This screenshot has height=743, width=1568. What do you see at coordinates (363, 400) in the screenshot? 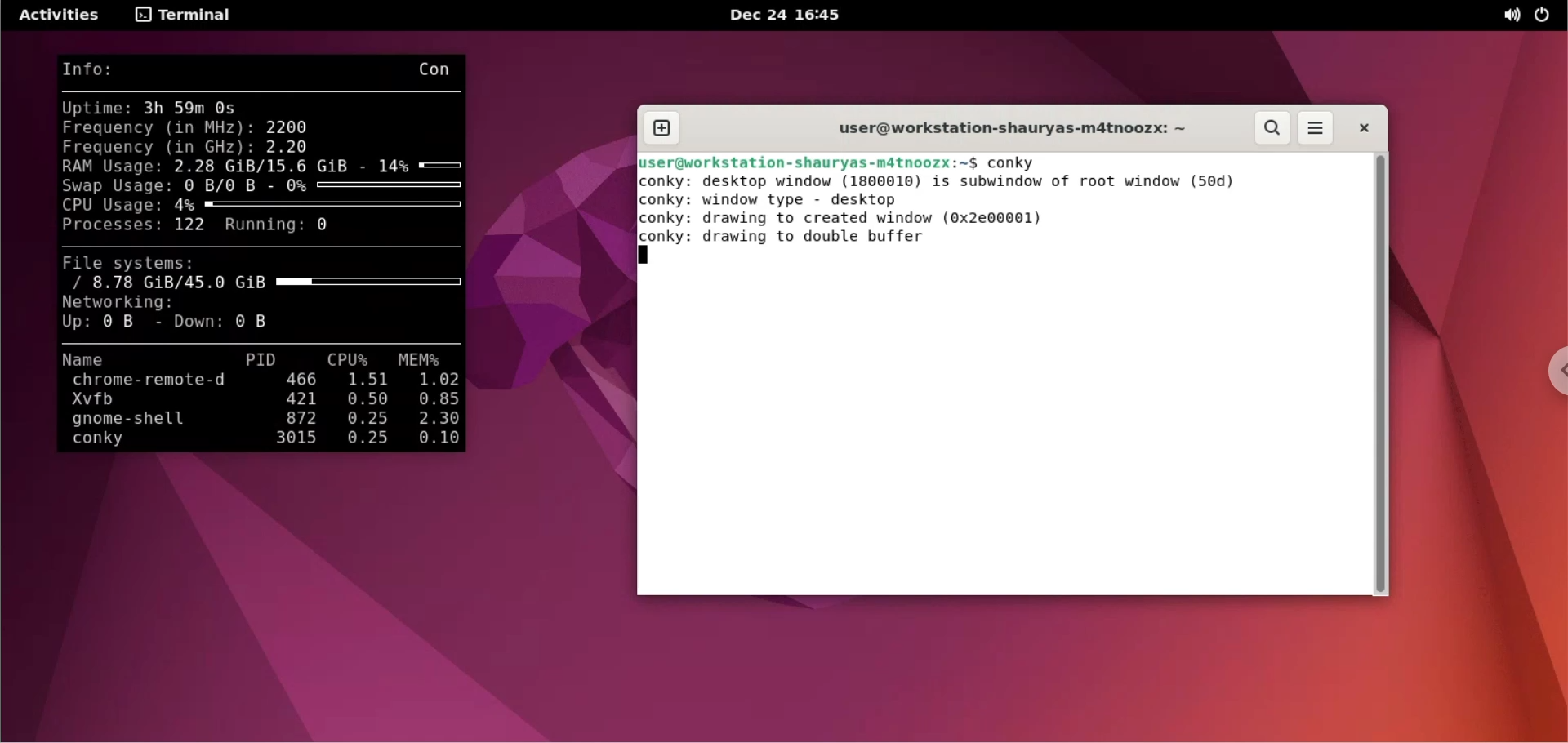
I see `0.50` at bounding box center [363, 400].